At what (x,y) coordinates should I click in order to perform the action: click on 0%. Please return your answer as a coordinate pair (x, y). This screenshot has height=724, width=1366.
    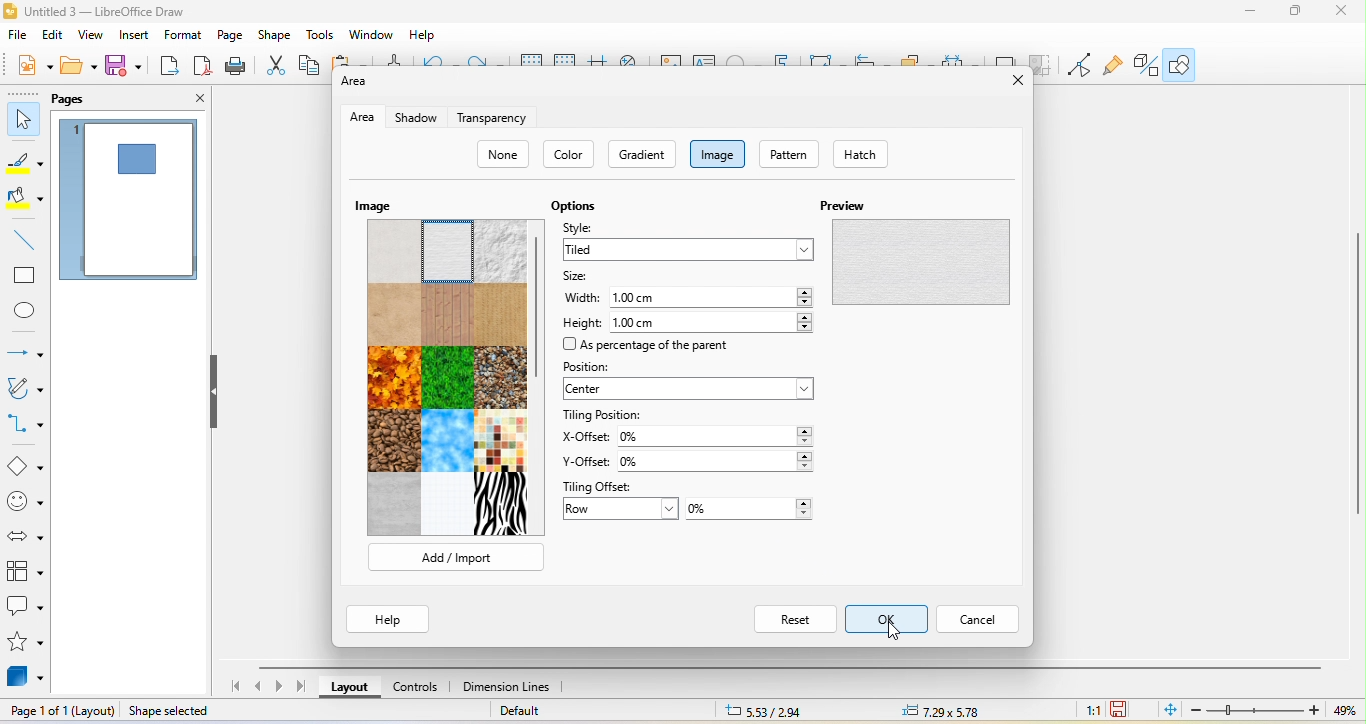
    Looking at the image, I should click on (714, 463).